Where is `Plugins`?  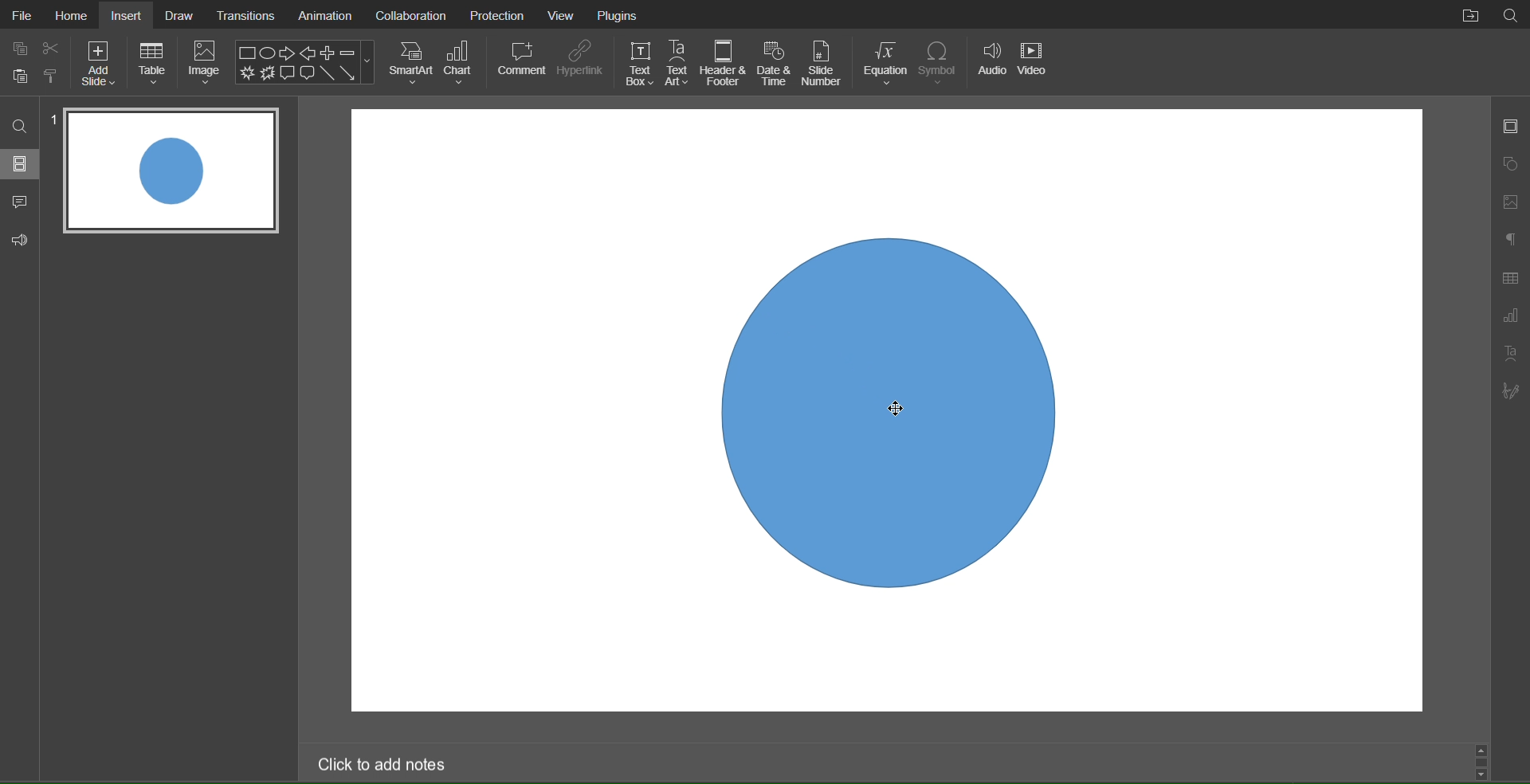 Plugins is located at coordinates (618, 14).